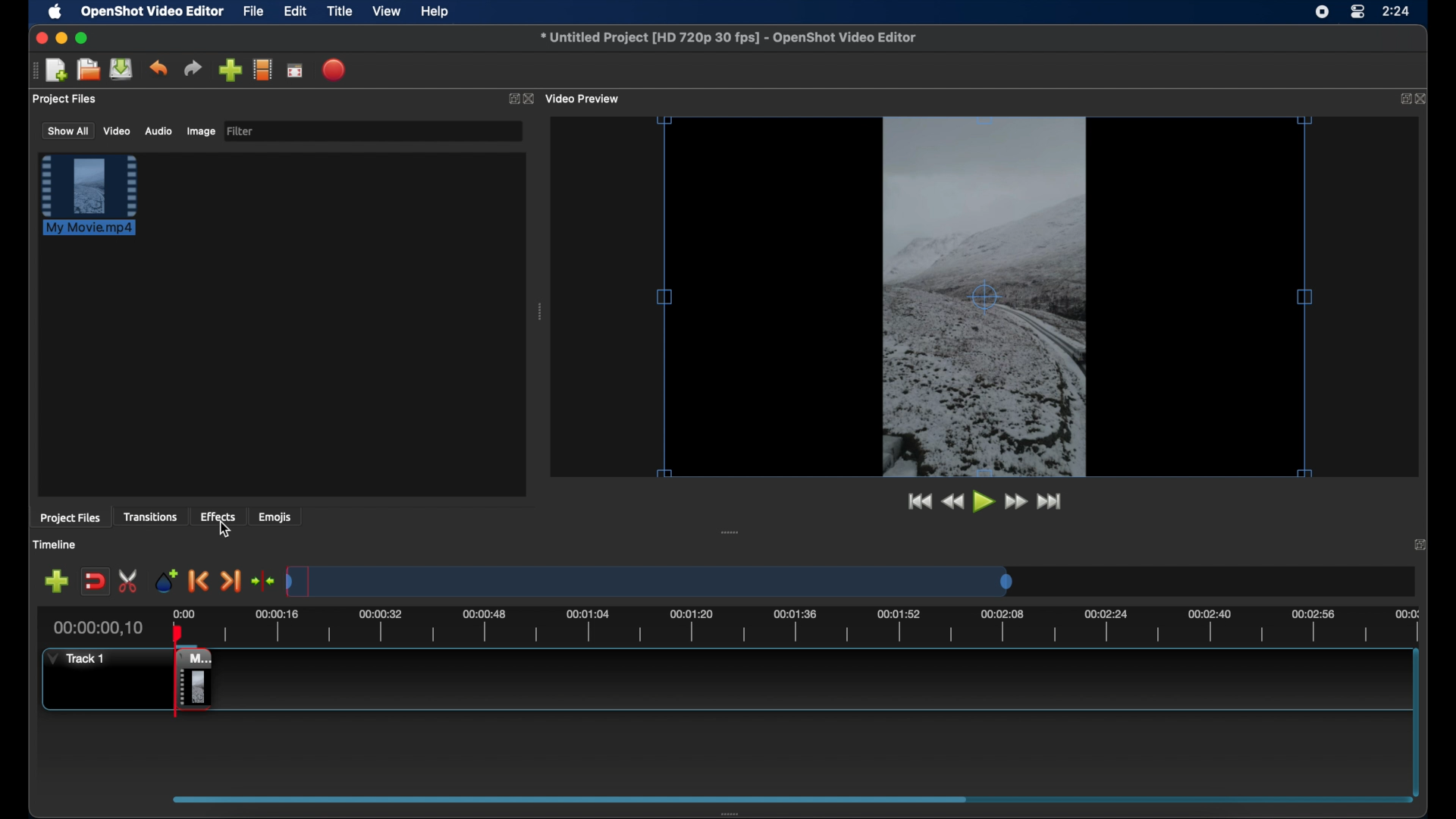 The height and width of the screenshot is (819, 1456). What do you see at coordinates (96, 582) in the screenshot?
I see `disable snapping` at bounding box center [96, 582].